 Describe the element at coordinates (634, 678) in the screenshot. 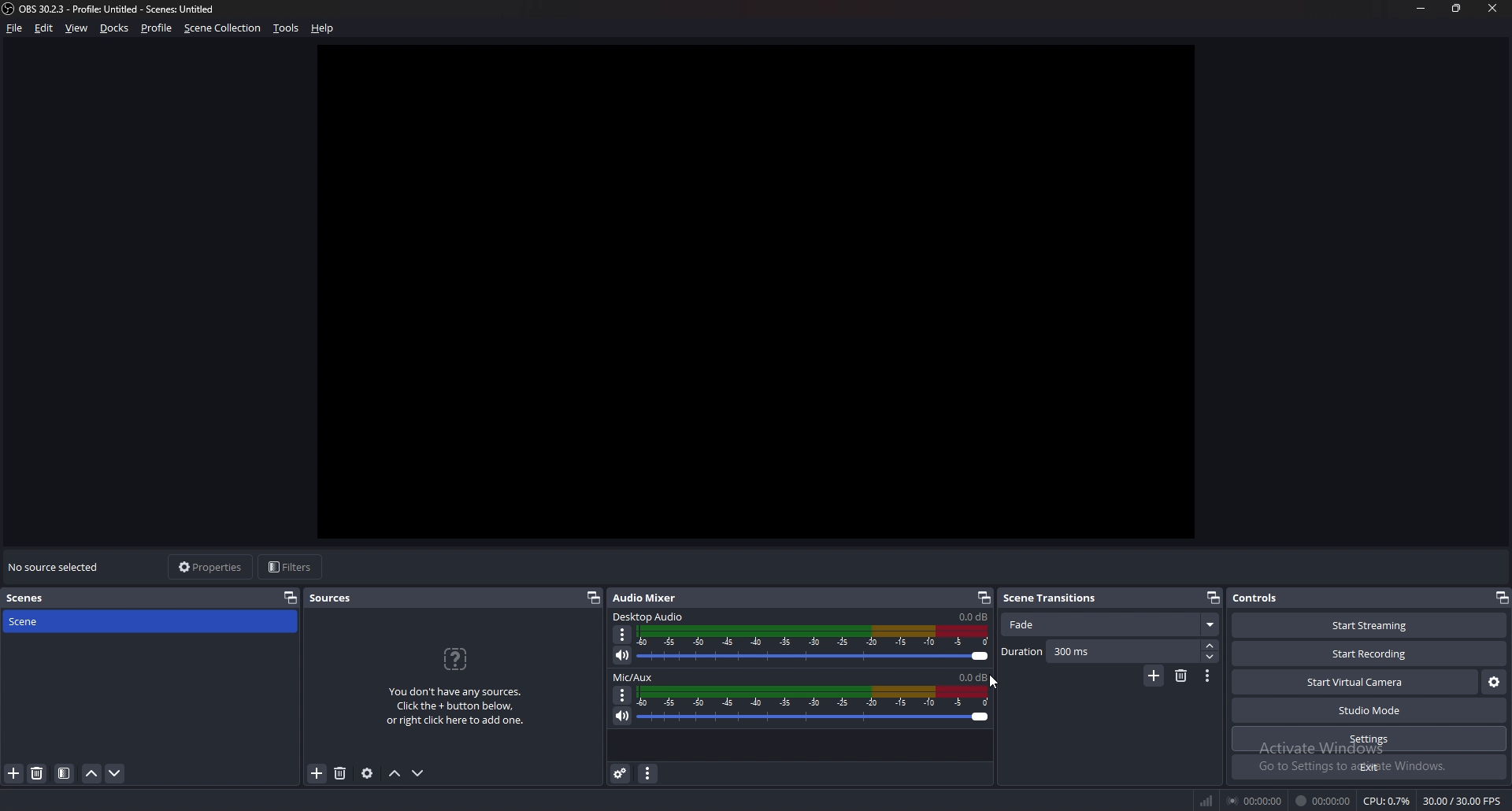

I see `mic/aux` at that location.